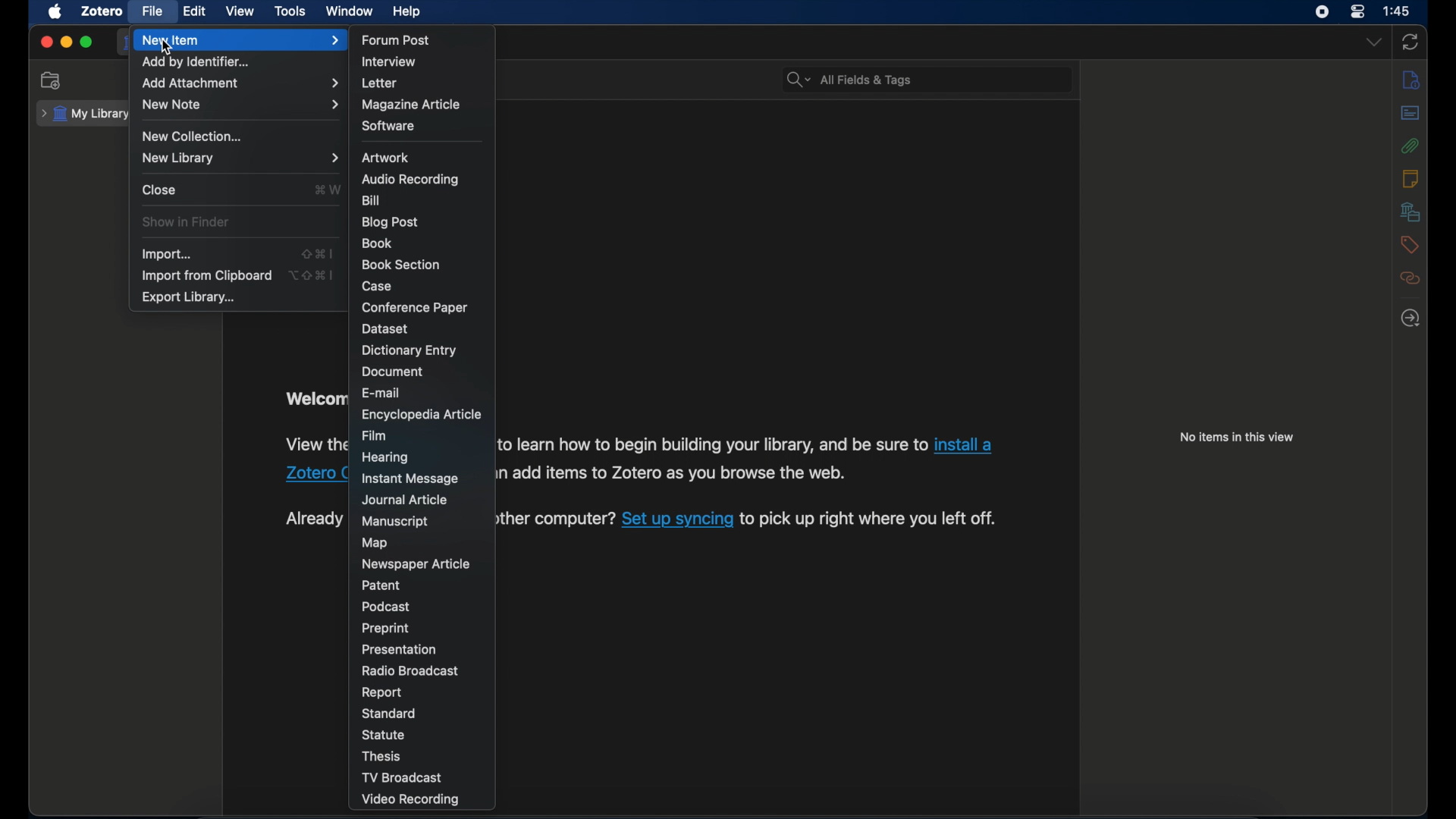  What do you see at coordinates (1357, 11) in the screenshot?
I see `control center` at bounding box center [1357, 11].